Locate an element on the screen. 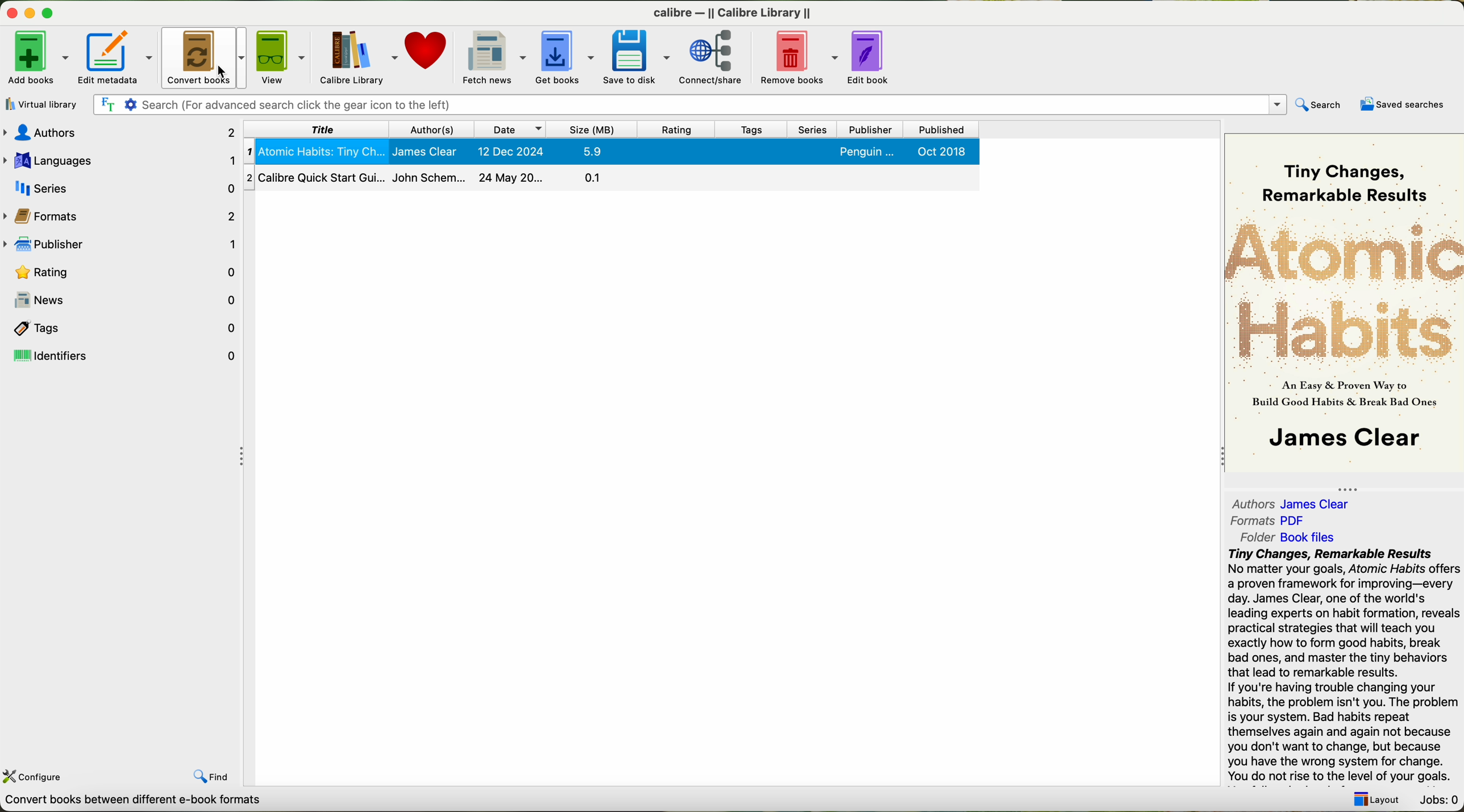  size is located at coordinates (591, 128).